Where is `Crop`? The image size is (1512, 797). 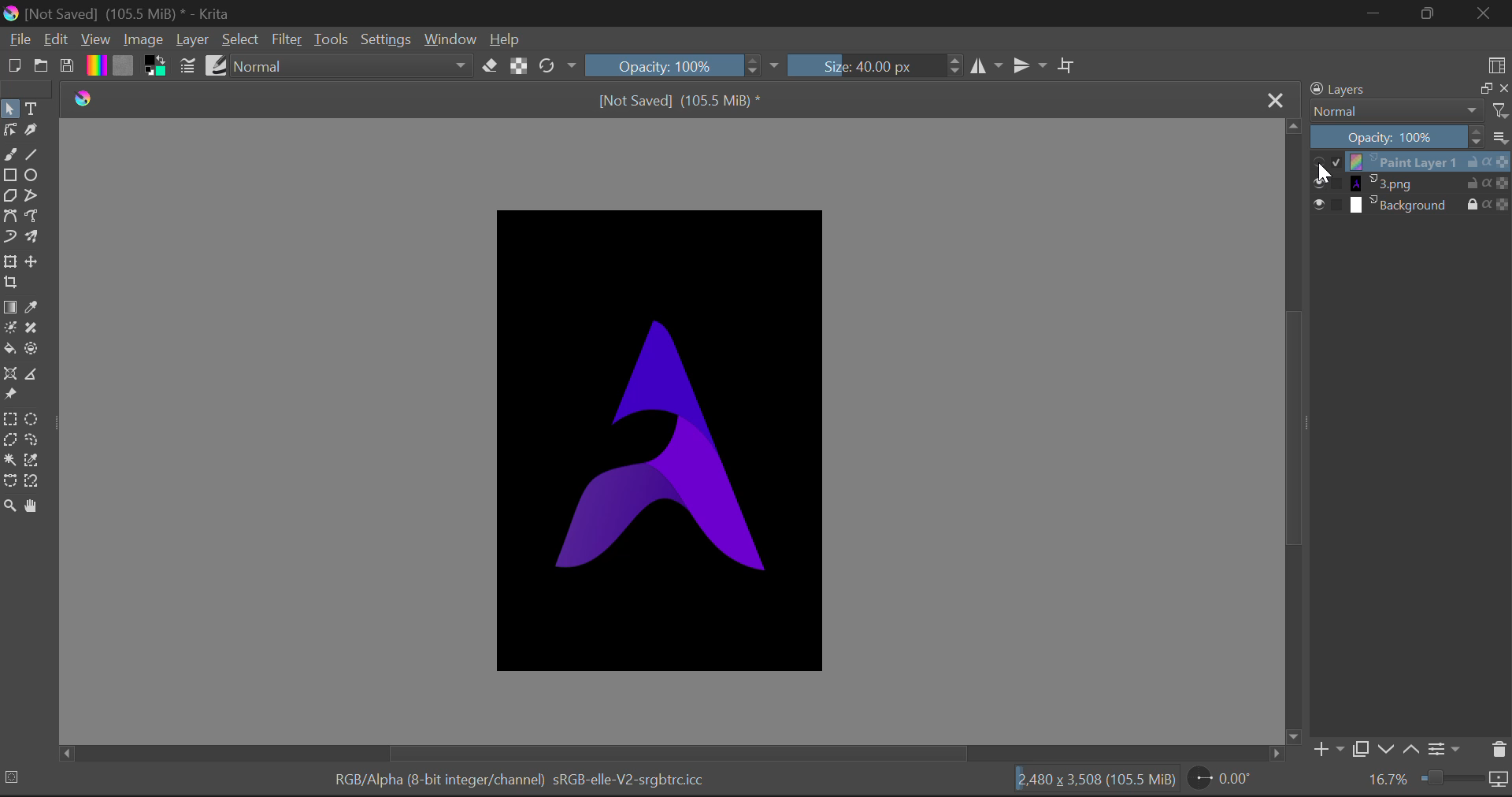 Crop is located at coordinates (1068, 65).